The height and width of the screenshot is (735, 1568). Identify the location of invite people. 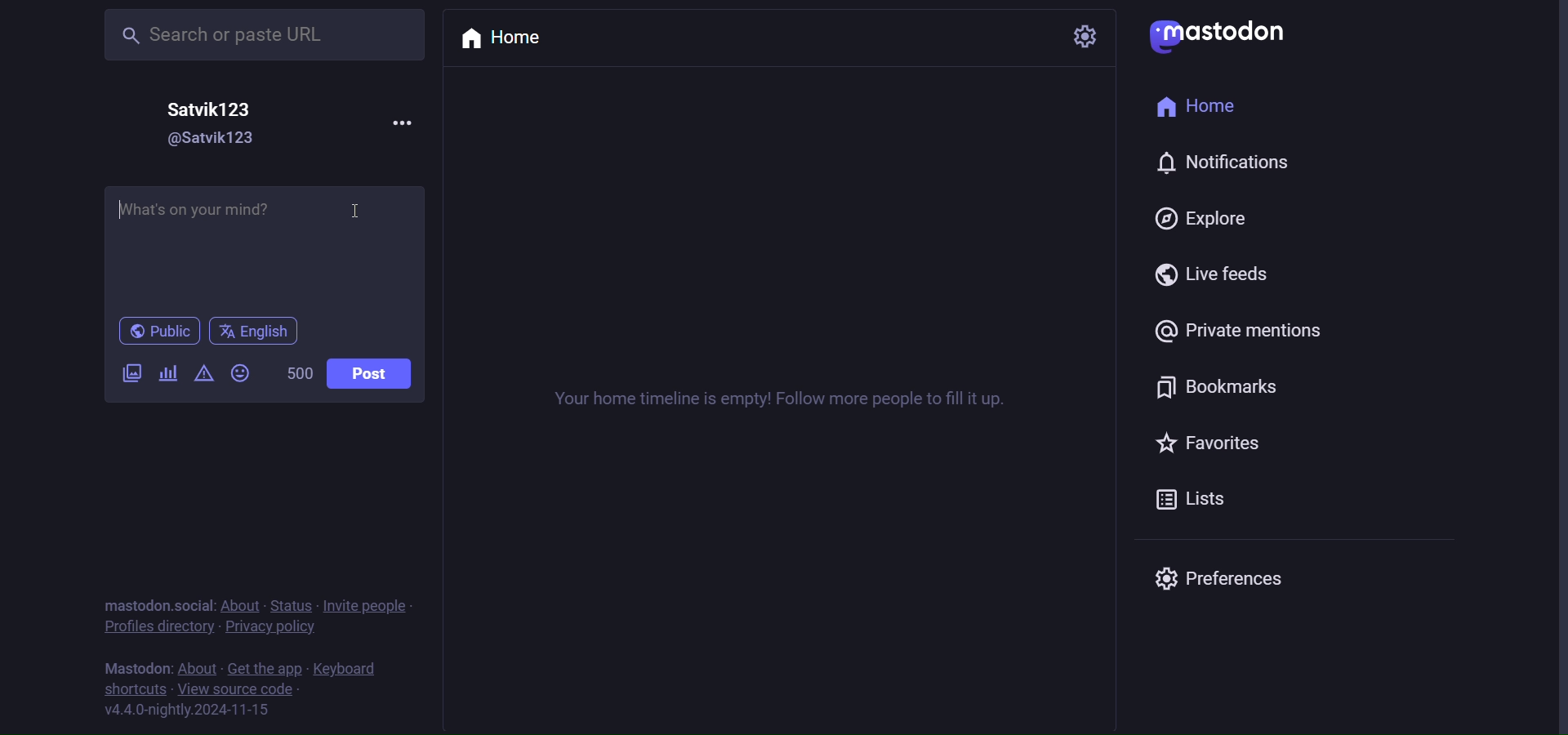
(372, 606).